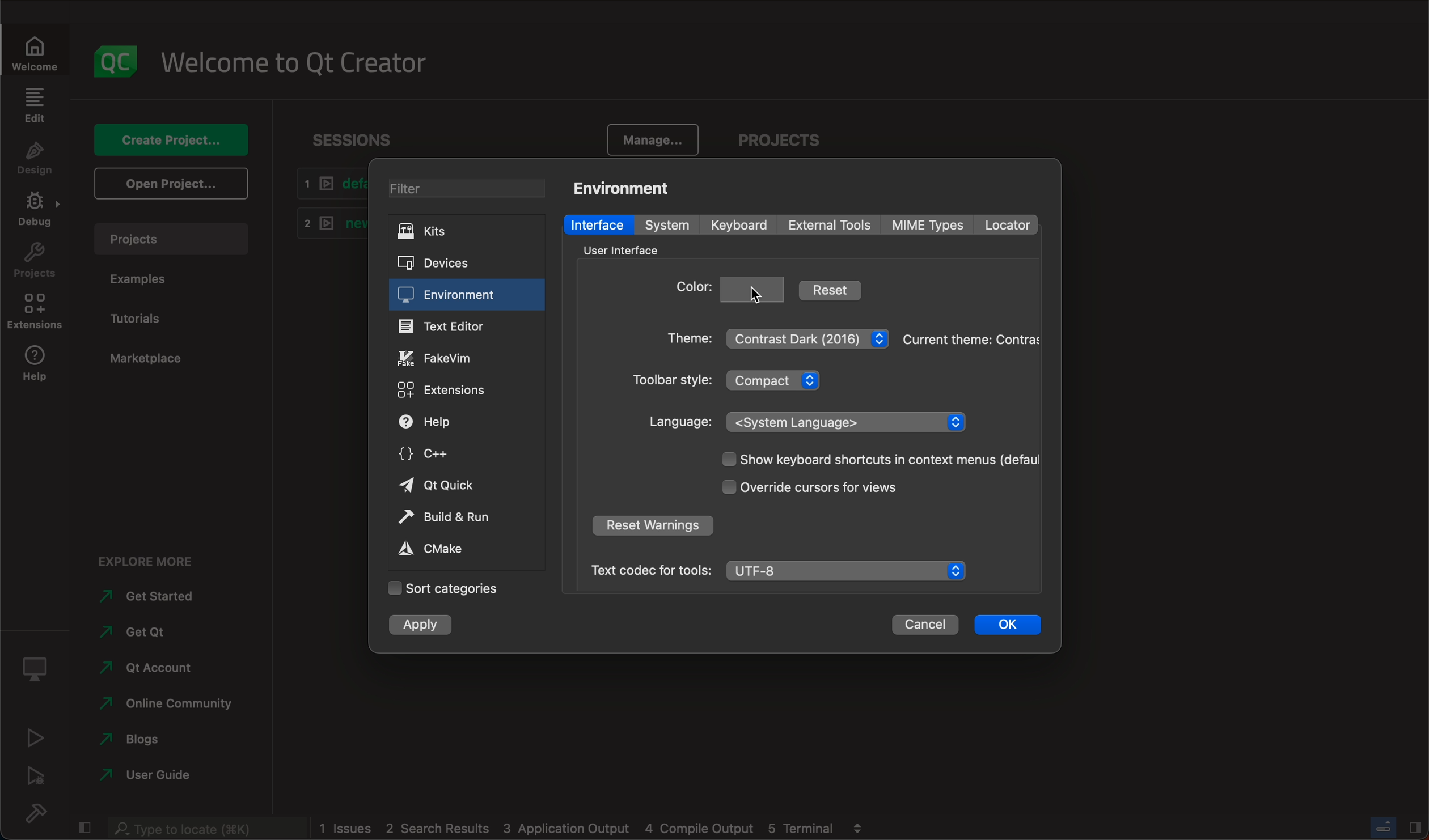 The width and height of the screenshot is (1429, 840). What do you see at coordinates (170, 135) in the screenshot?
I see `create` at bounding box center [170, 135].